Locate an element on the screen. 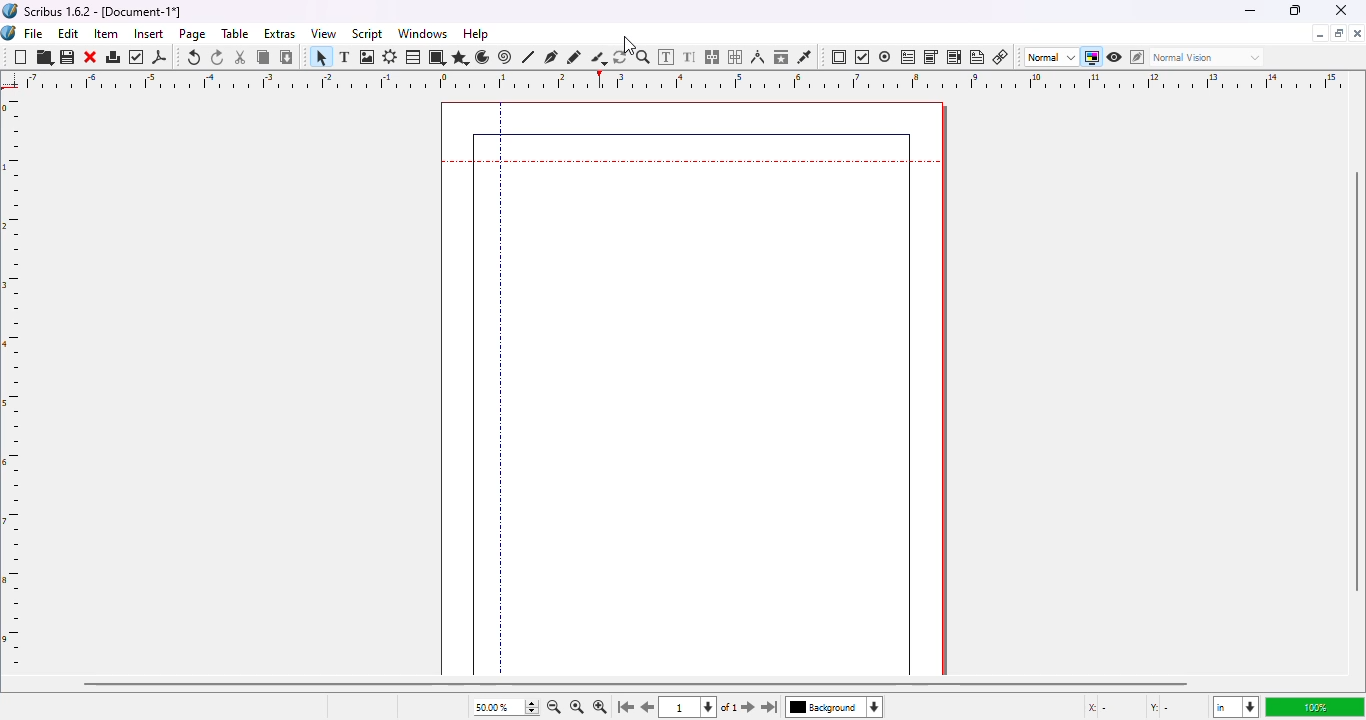 This screenshot has height=720, width=1366. go to the first page is located at coordinates (626, 708).